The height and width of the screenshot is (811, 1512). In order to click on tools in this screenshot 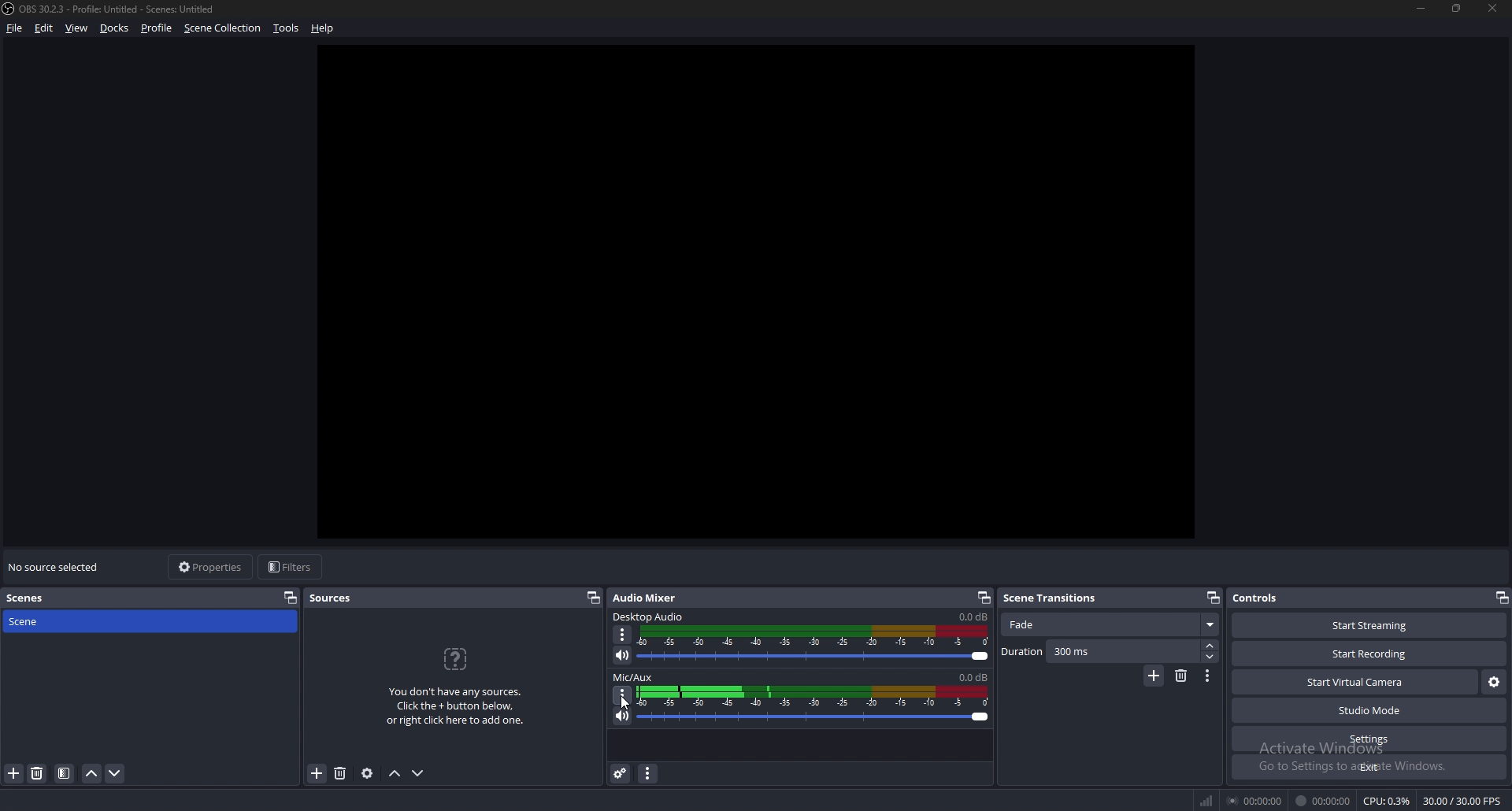, I will do `click(285, 28)`.